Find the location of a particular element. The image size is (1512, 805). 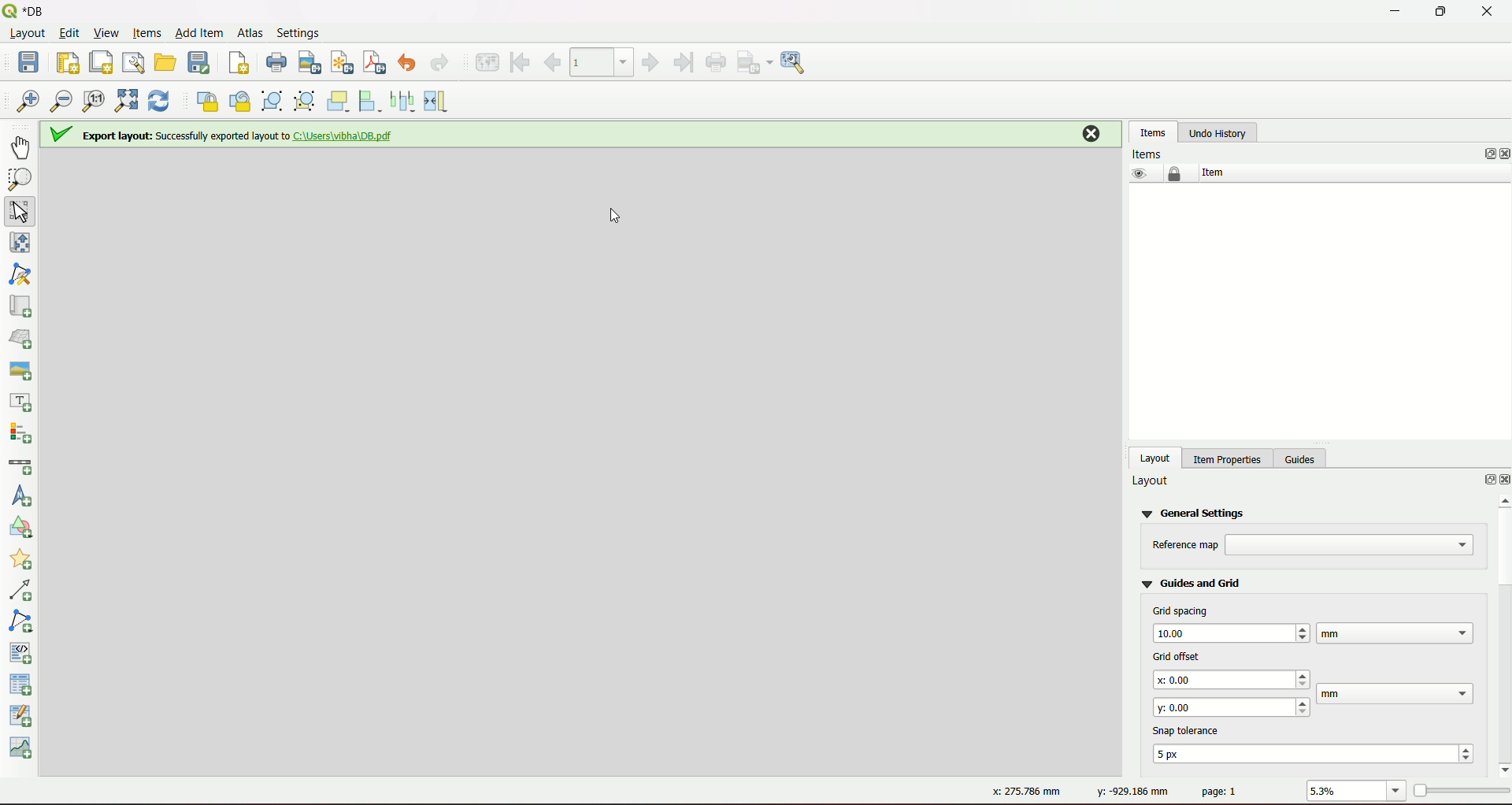

grid offset is located at coordinates (1173, 655).